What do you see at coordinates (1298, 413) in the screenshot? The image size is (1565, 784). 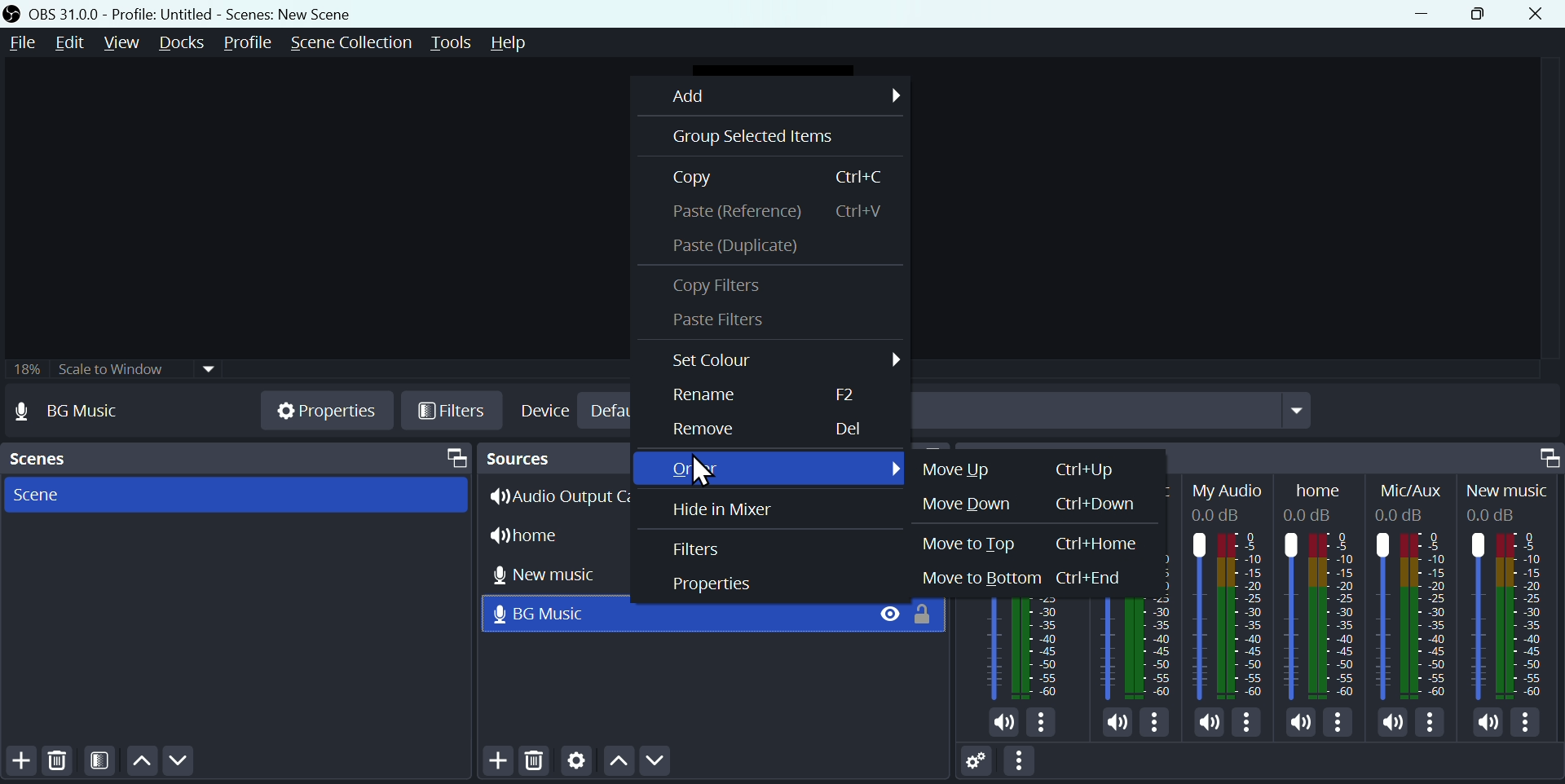 I see `Dropdown` at bounding box center [1298, 413].